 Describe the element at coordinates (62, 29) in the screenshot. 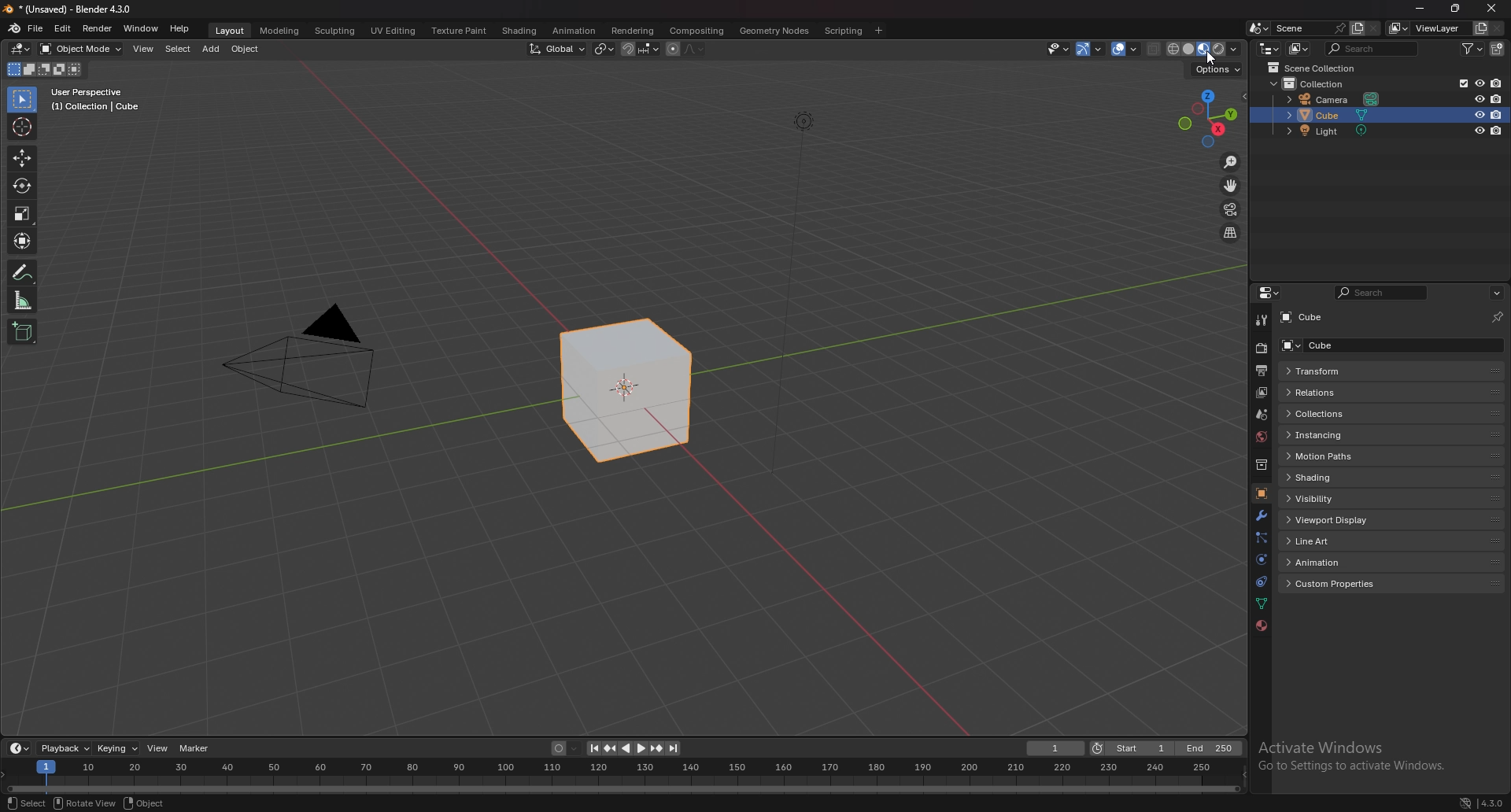

I see `edit` at that location.